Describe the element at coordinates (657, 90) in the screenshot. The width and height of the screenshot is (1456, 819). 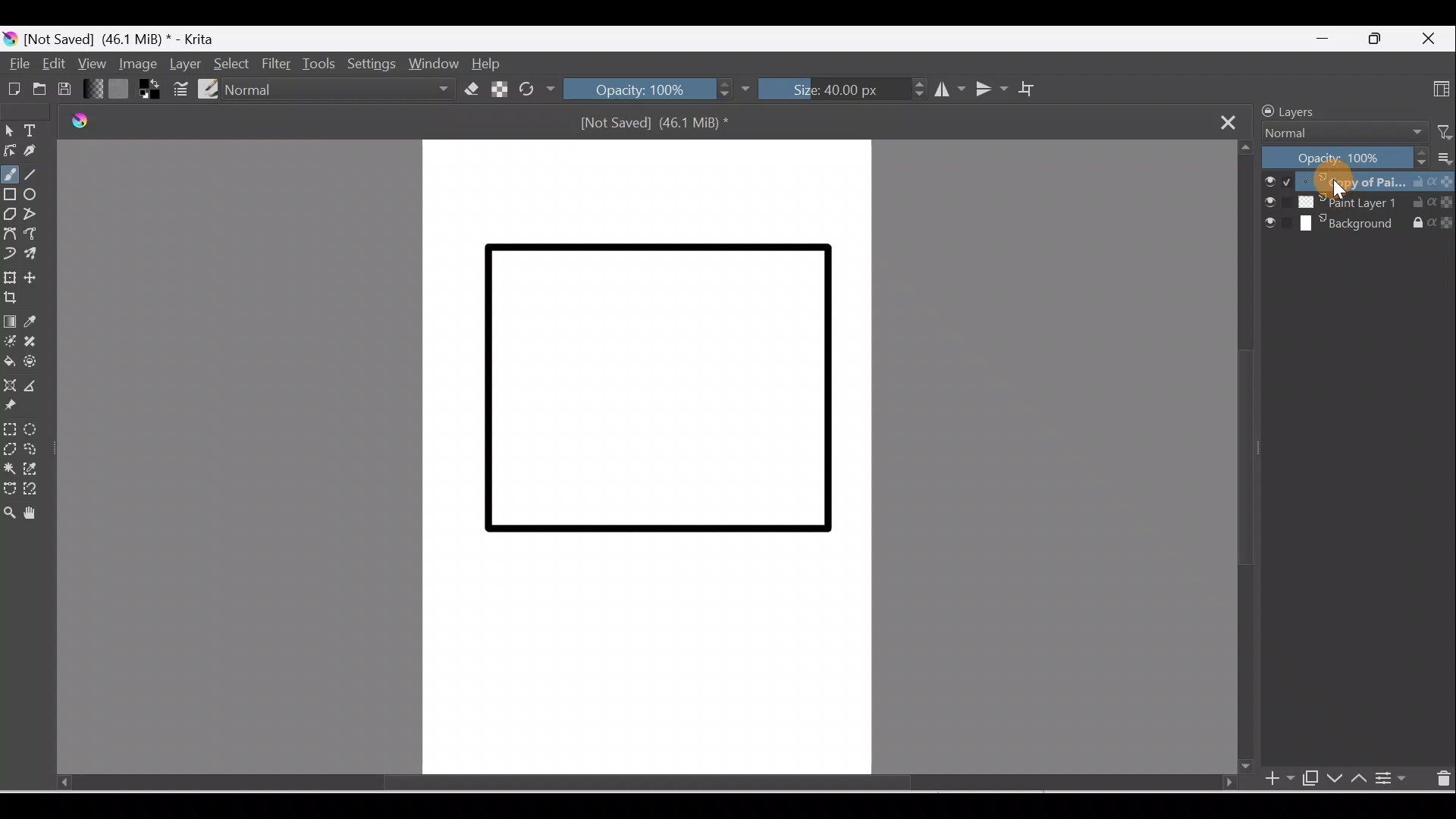
I see `Opacity: 100%` at that location.